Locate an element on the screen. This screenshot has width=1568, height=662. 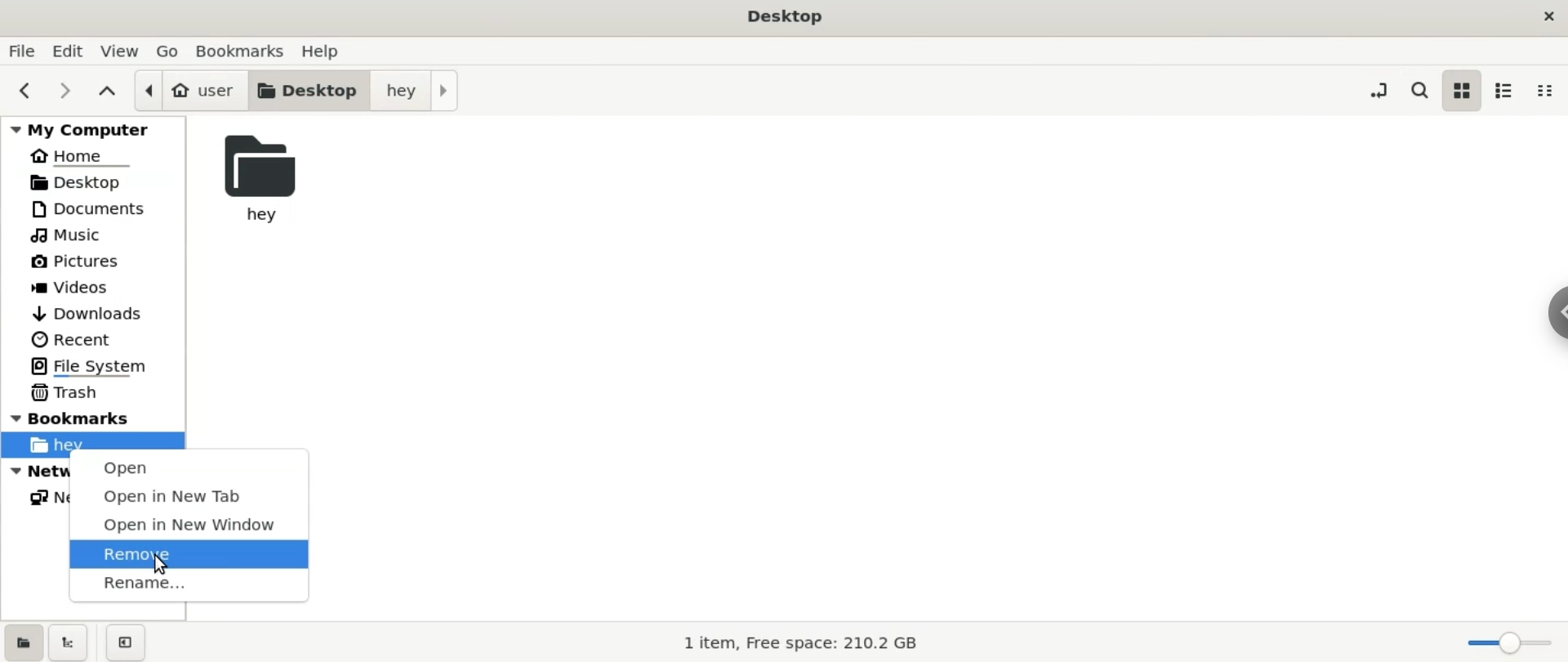
bookmarks is located at coordinates (241, 52).